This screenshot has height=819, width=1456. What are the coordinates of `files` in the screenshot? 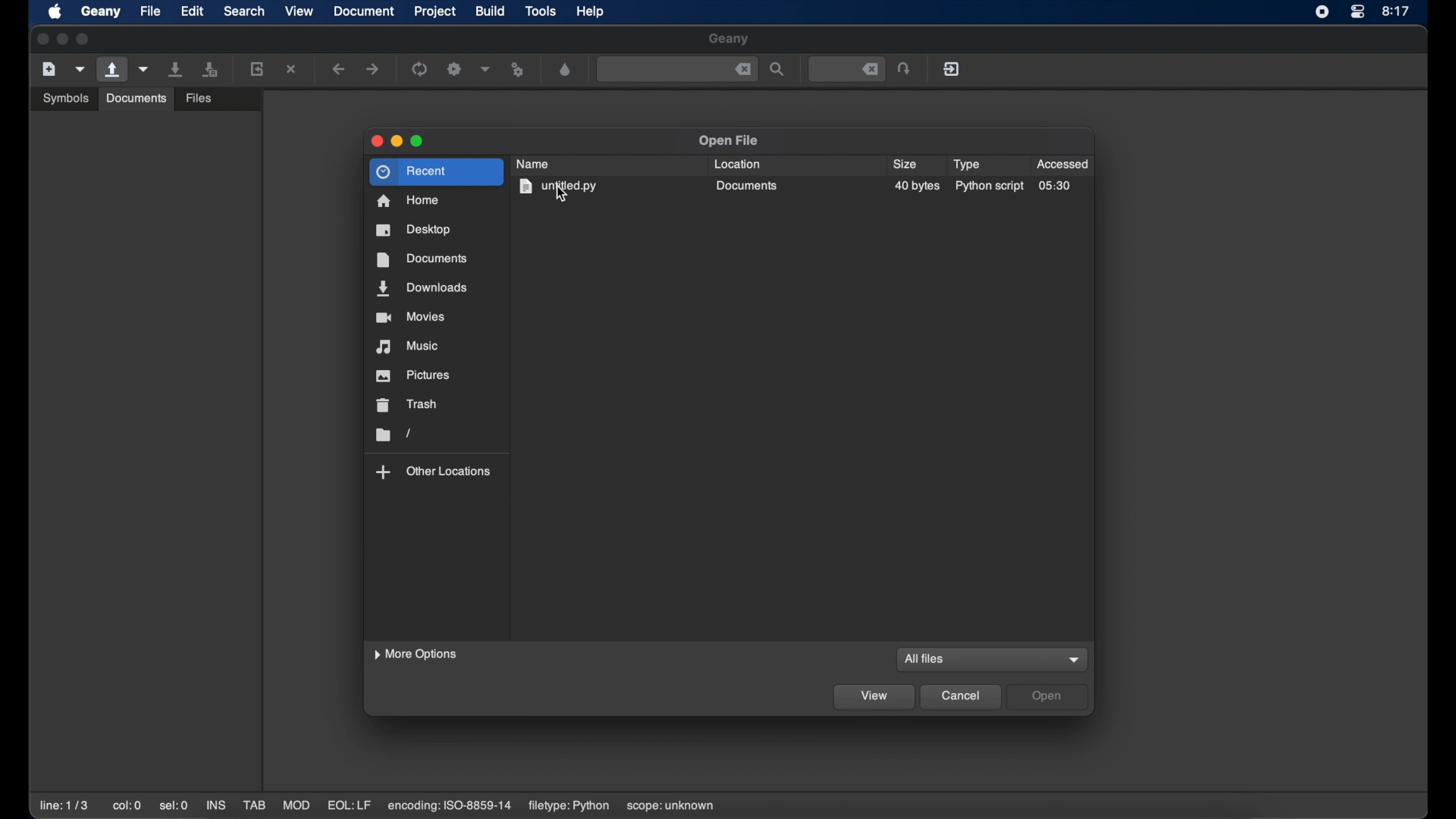 It's located at (199, 99).